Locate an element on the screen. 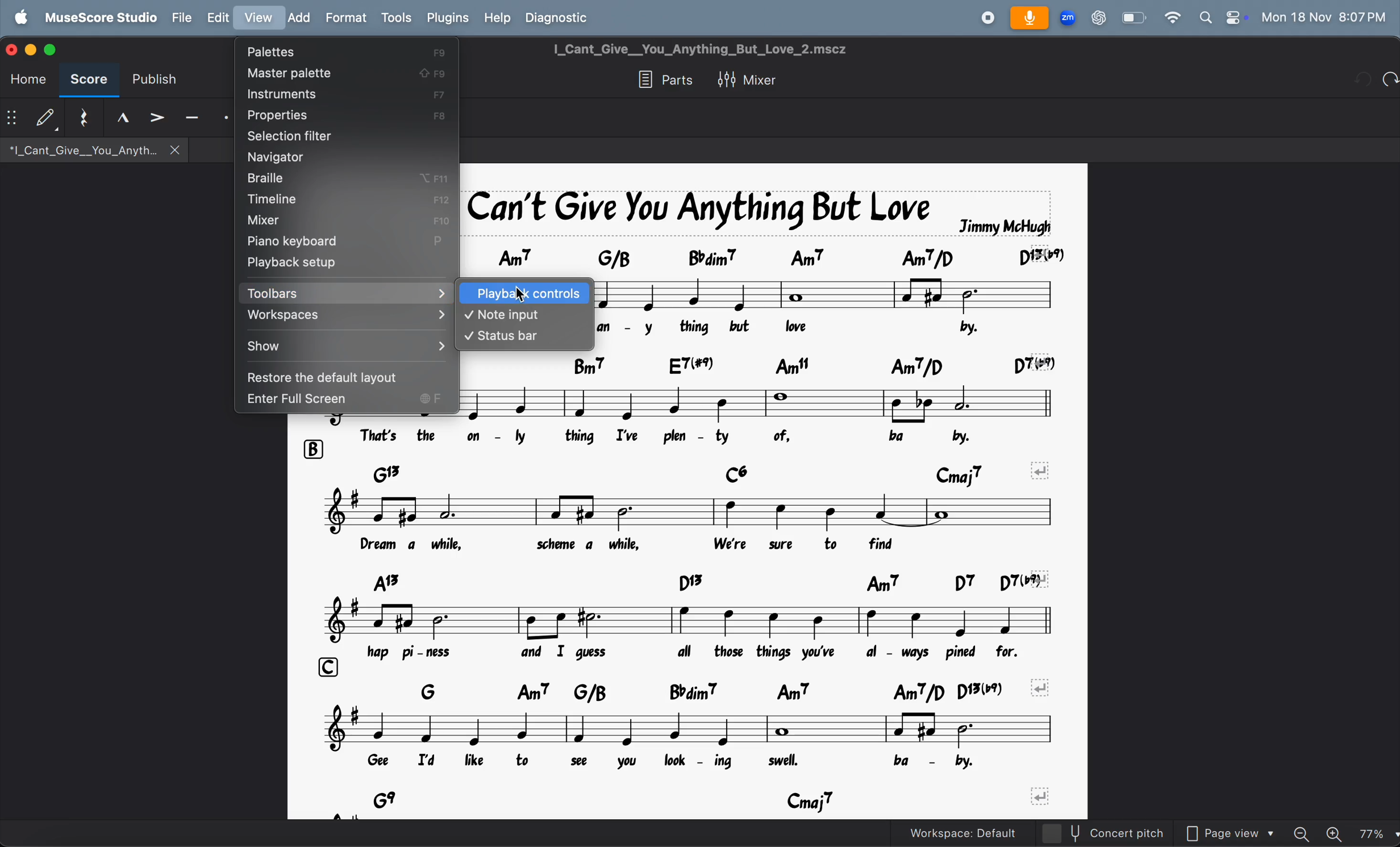 Image resolution: width=1400 pixels, height=847 pixels. apple widgets is located at coordinates (1222, 18).